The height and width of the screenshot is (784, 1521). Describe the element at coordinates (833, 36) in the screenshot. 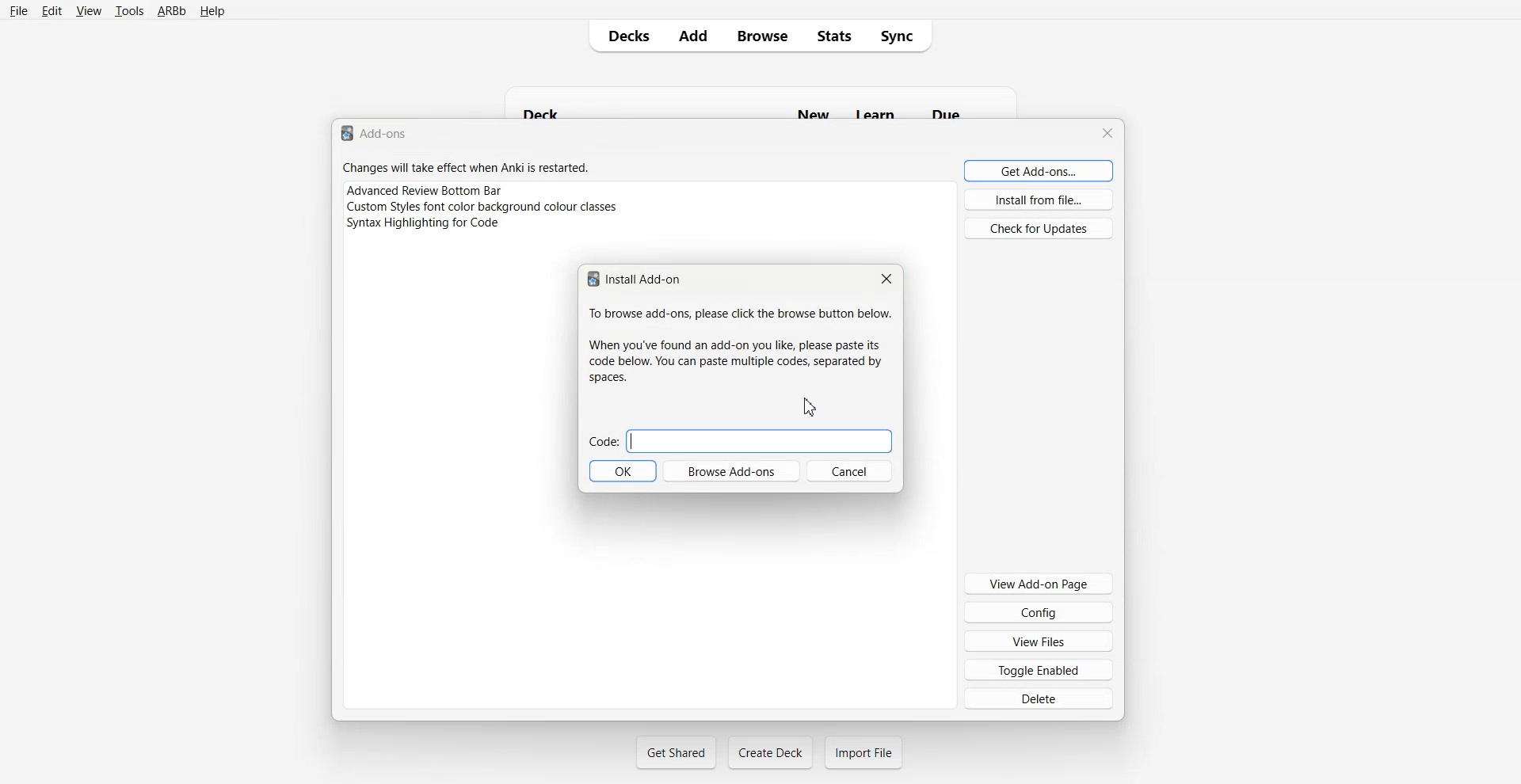

I see `Stats` at that location.